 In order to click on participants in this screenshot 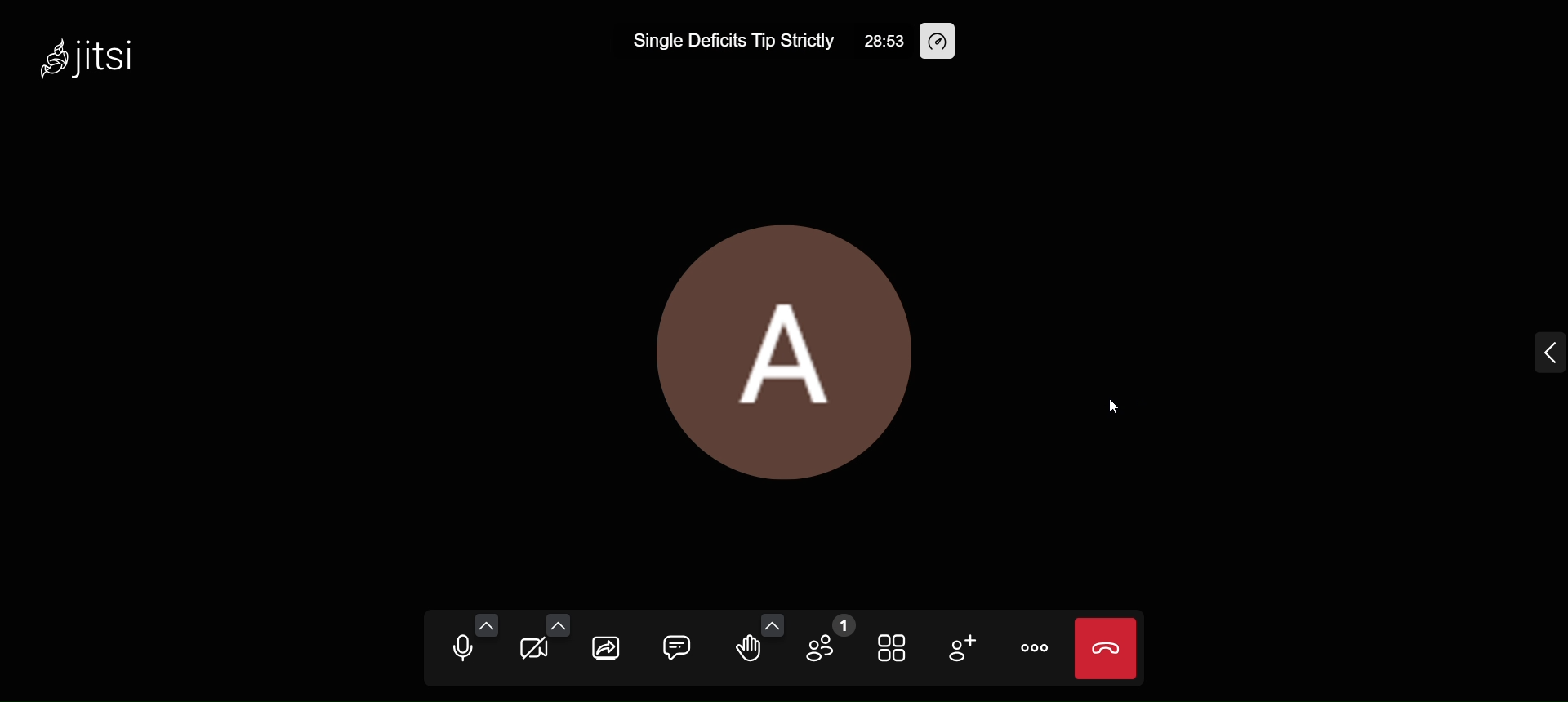, I will do `click(832, 642)`.